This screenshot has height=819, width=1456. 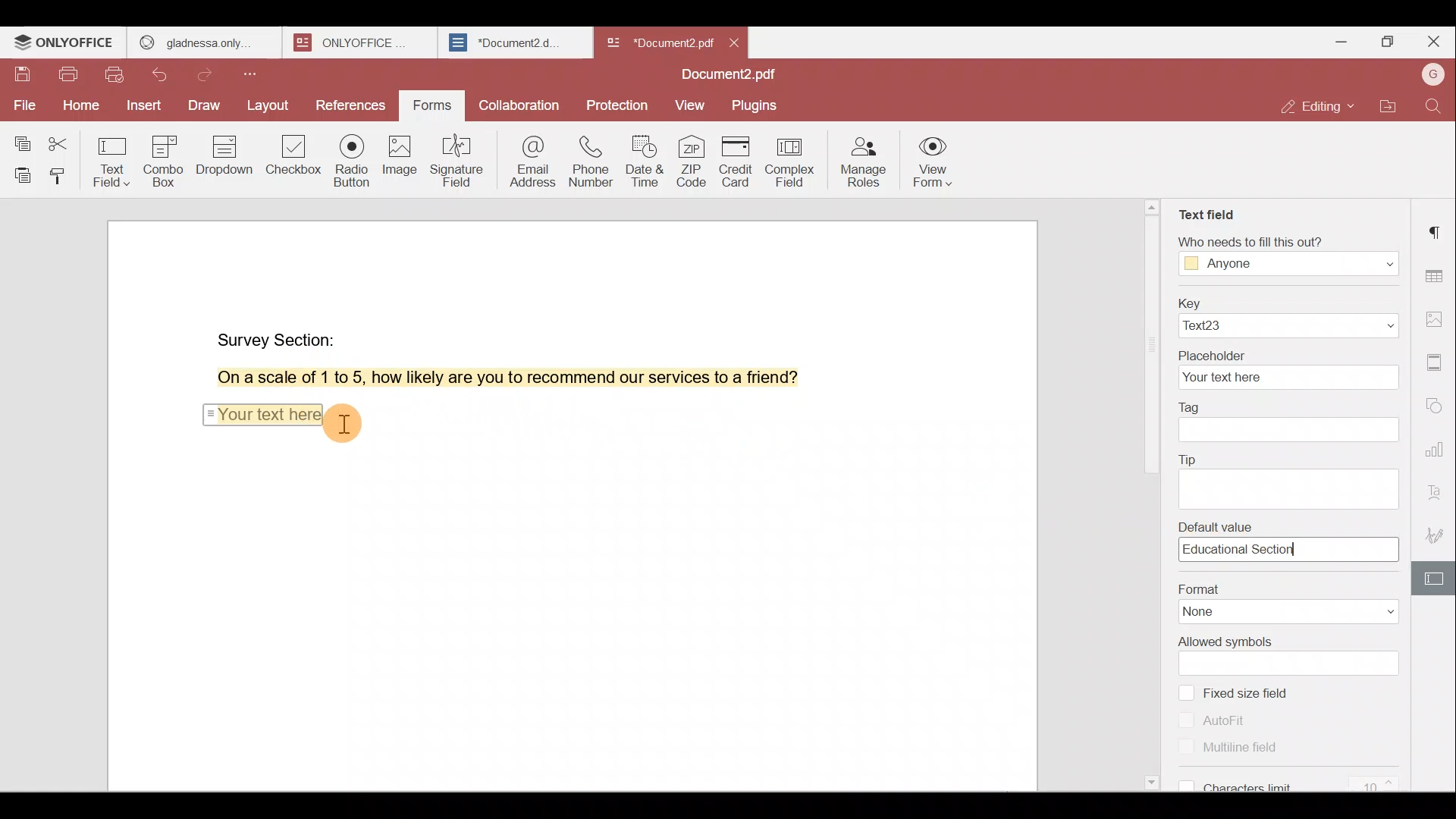 What do you see at coordinates (526, 158) in the screenshot?
I see `Email address` at bounding box center [526, 158].